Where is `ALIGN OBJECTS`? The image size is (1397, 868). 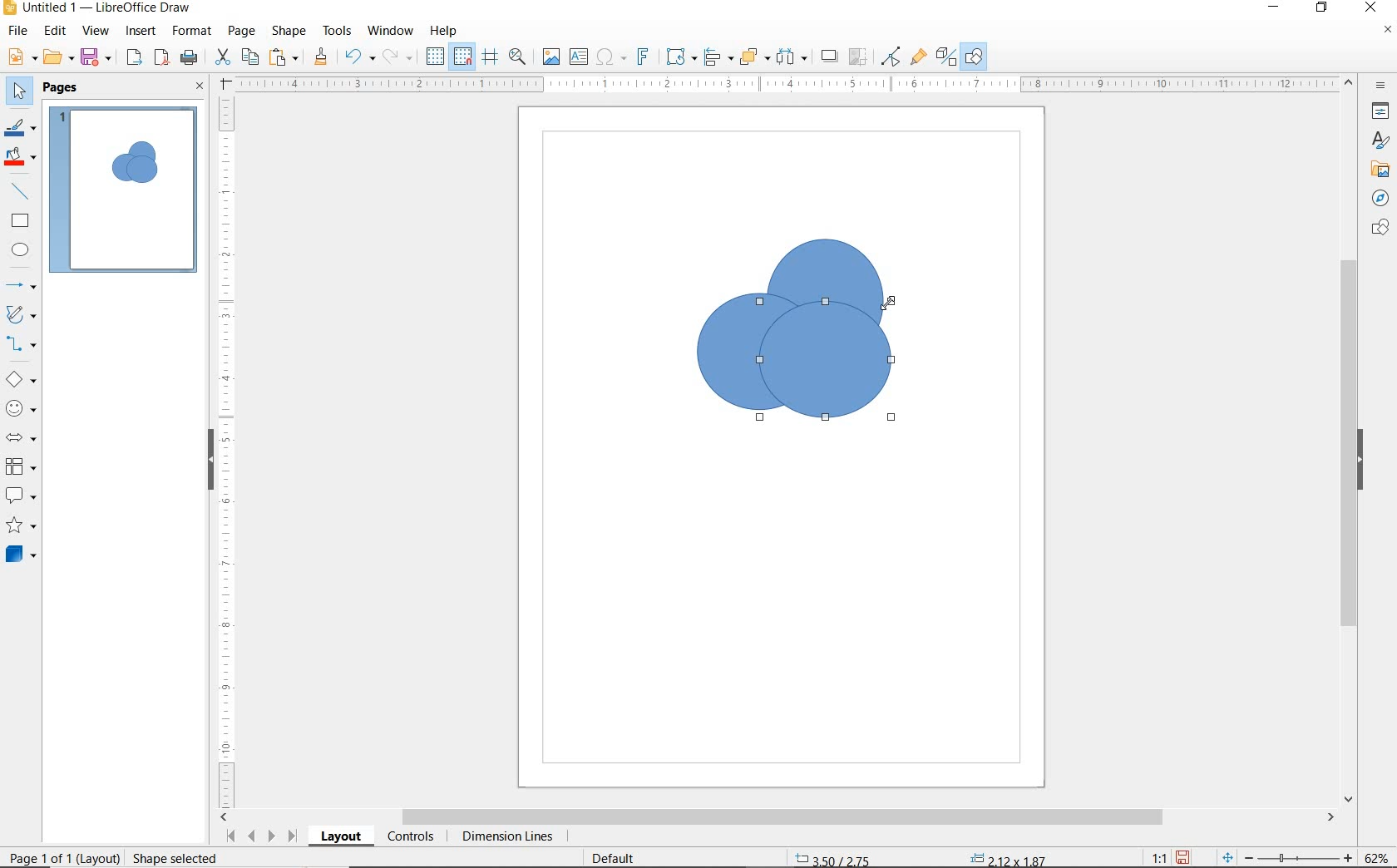
ALIGN OBJECTS is located at coordinates (717, 59).